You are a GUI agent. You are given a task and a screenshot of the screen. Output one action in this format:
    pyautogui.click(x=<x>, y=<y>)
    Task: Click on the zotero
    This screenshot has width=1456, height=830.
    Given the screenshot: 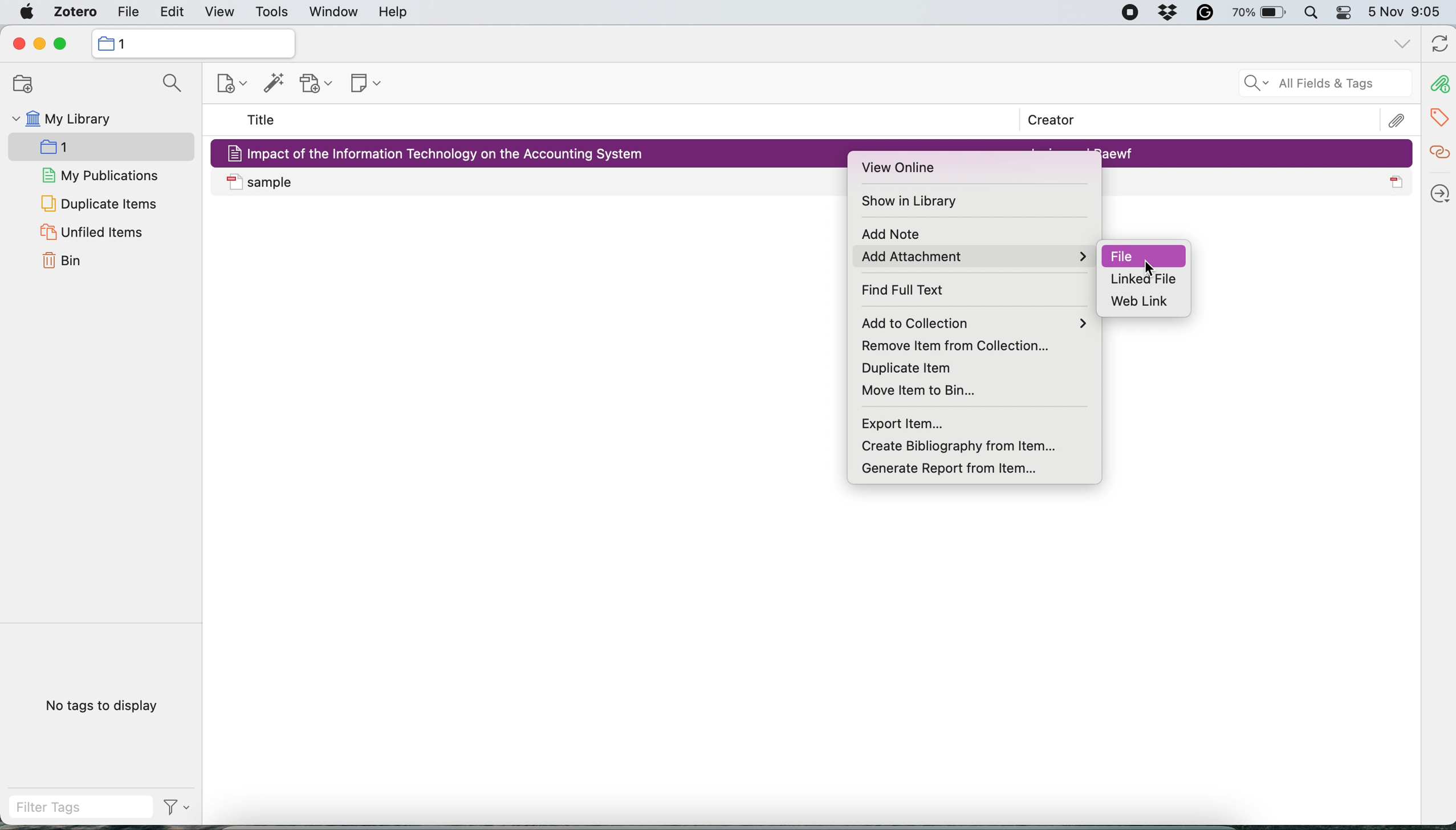 What is the action you would take?
    pyautogui.click(x=71, y=14)
    